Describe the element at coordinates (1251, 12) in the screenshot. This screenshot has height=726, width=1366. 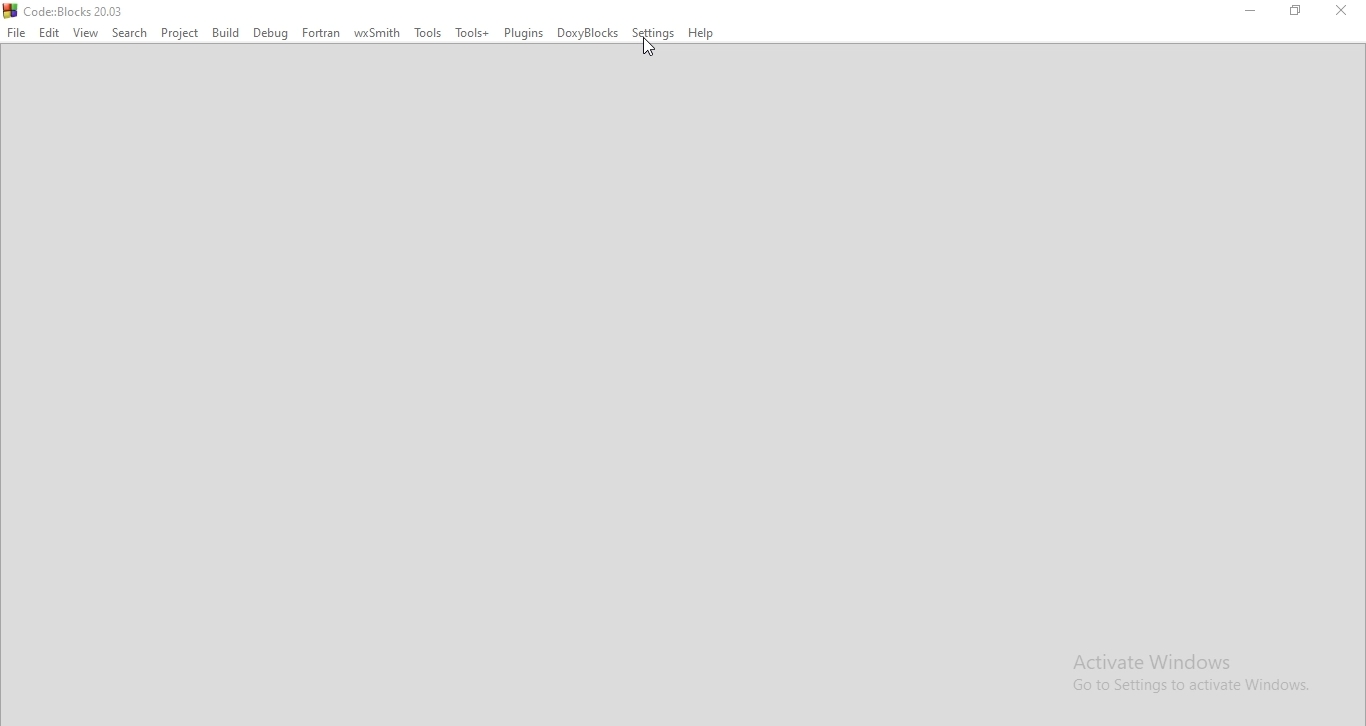
I see `minimise` at that location.